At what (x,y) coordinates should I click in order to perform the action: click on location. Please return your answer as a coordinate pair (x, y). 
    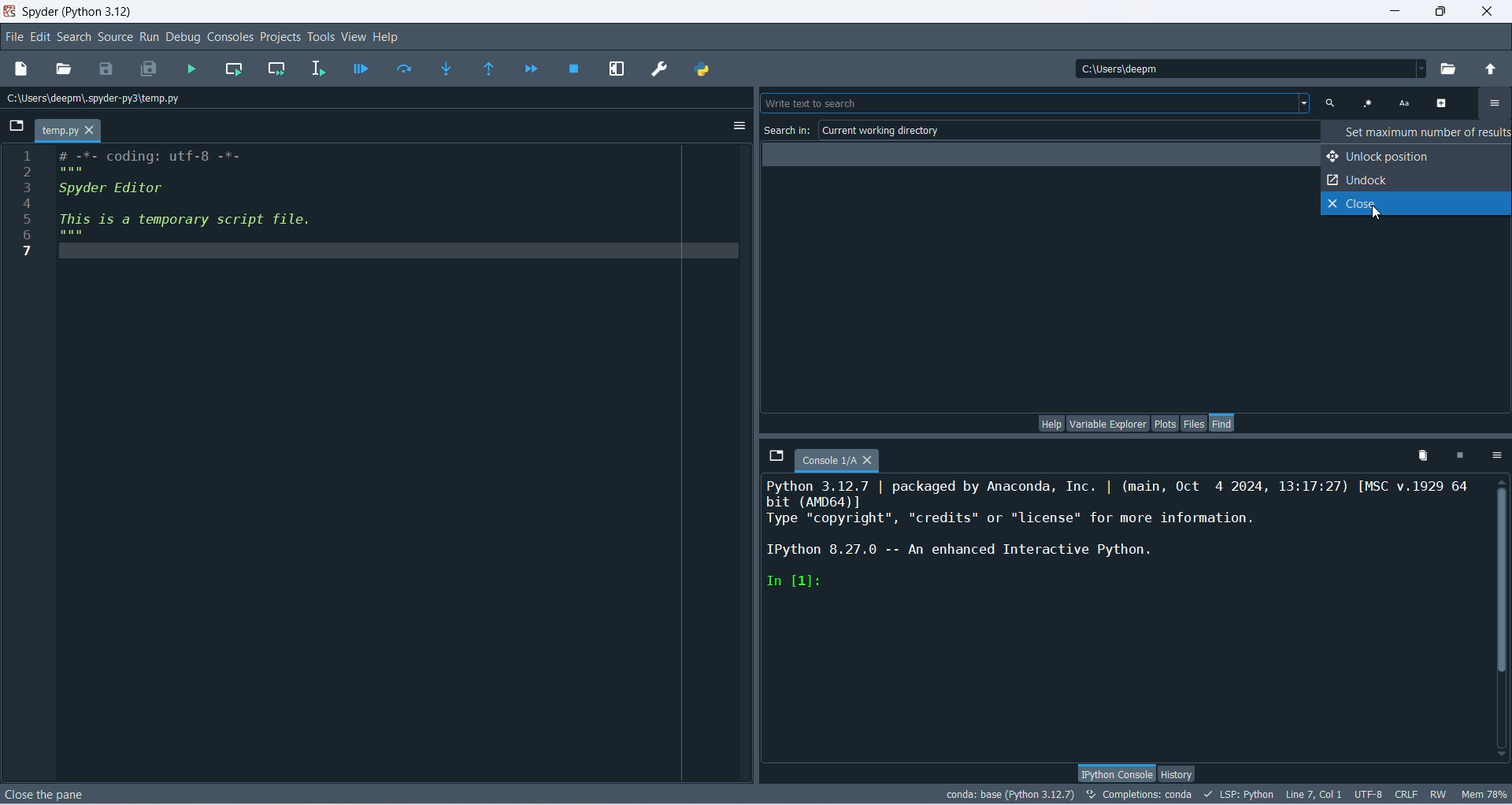
    Looking at the image, I should click on (97, 98).